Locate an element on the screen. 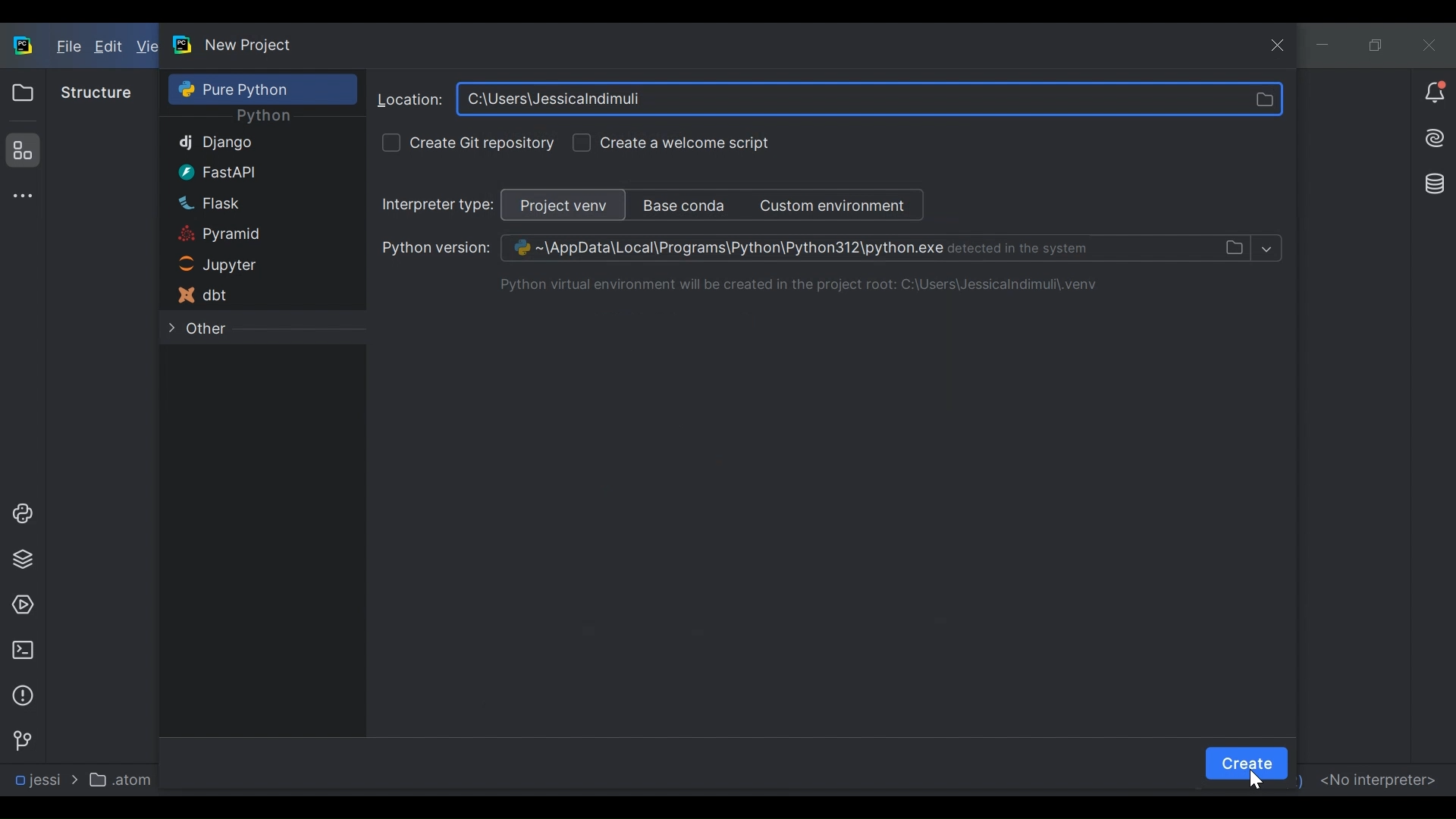  Terminal is located at coordinates (22, 650).